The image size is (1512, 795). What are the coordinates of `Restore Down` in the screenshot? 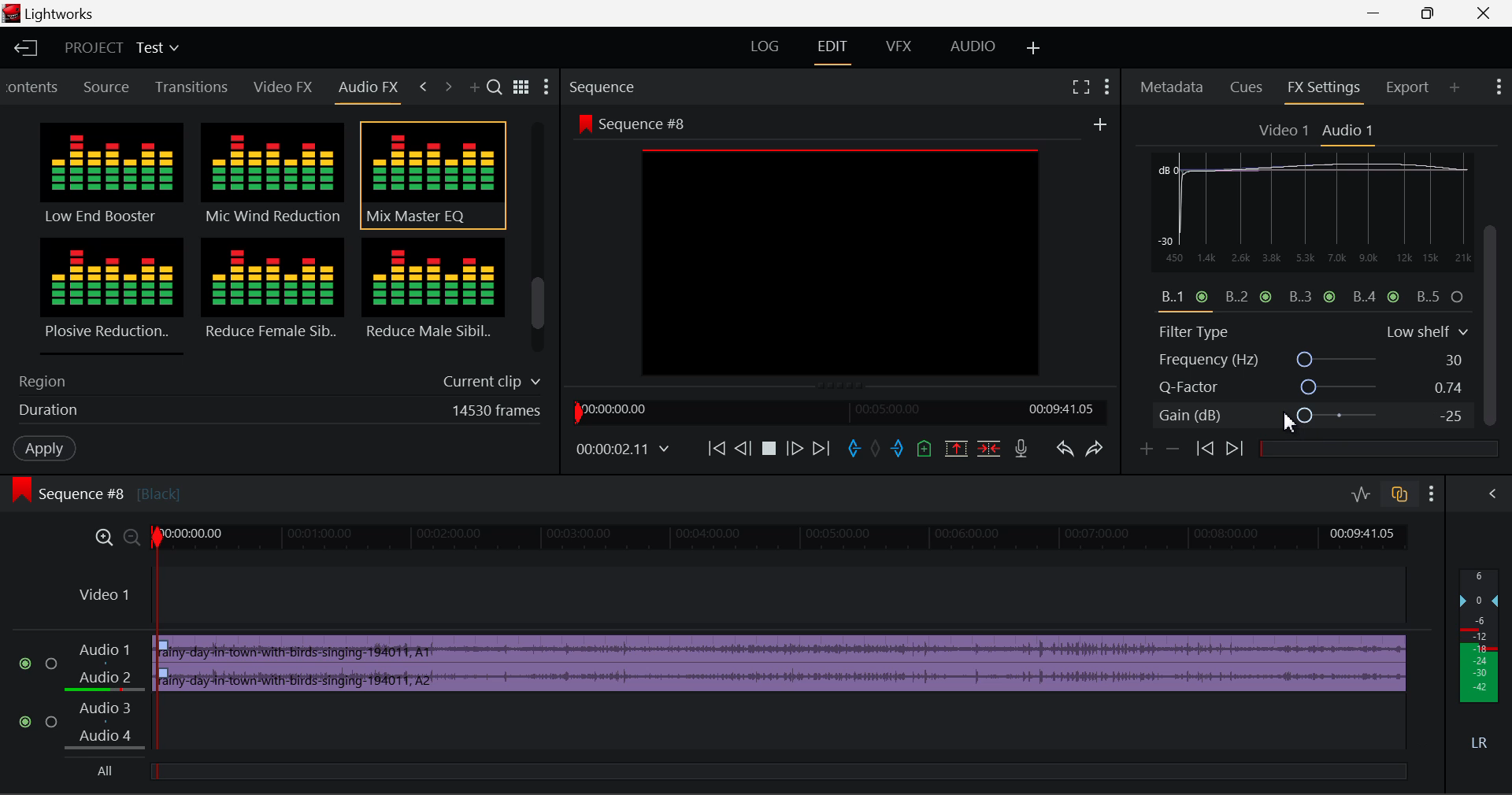 It's located at (1380, 13).